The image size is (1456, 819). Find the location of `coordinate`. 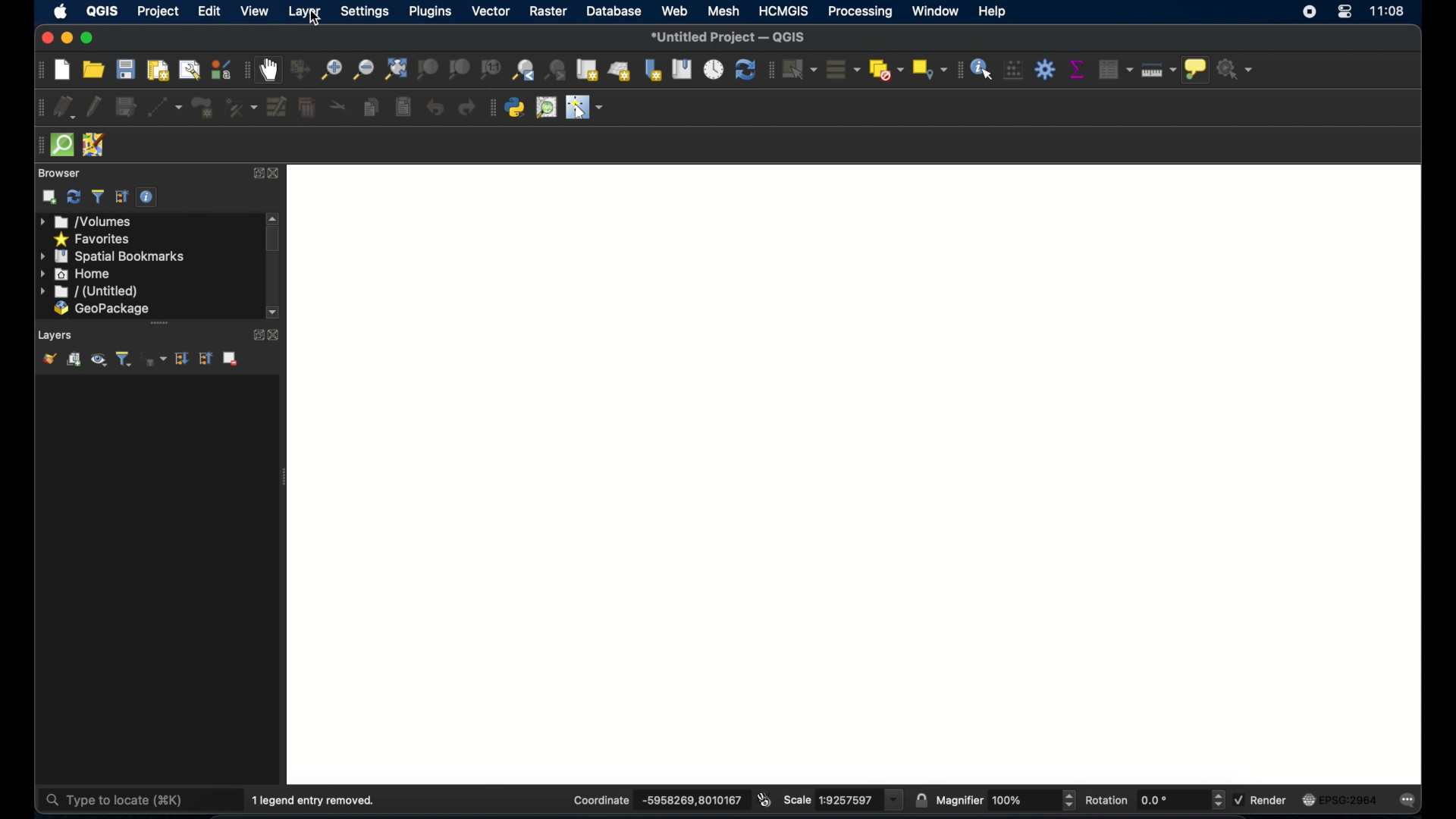

coordinate is located at coordinates (599, 799).